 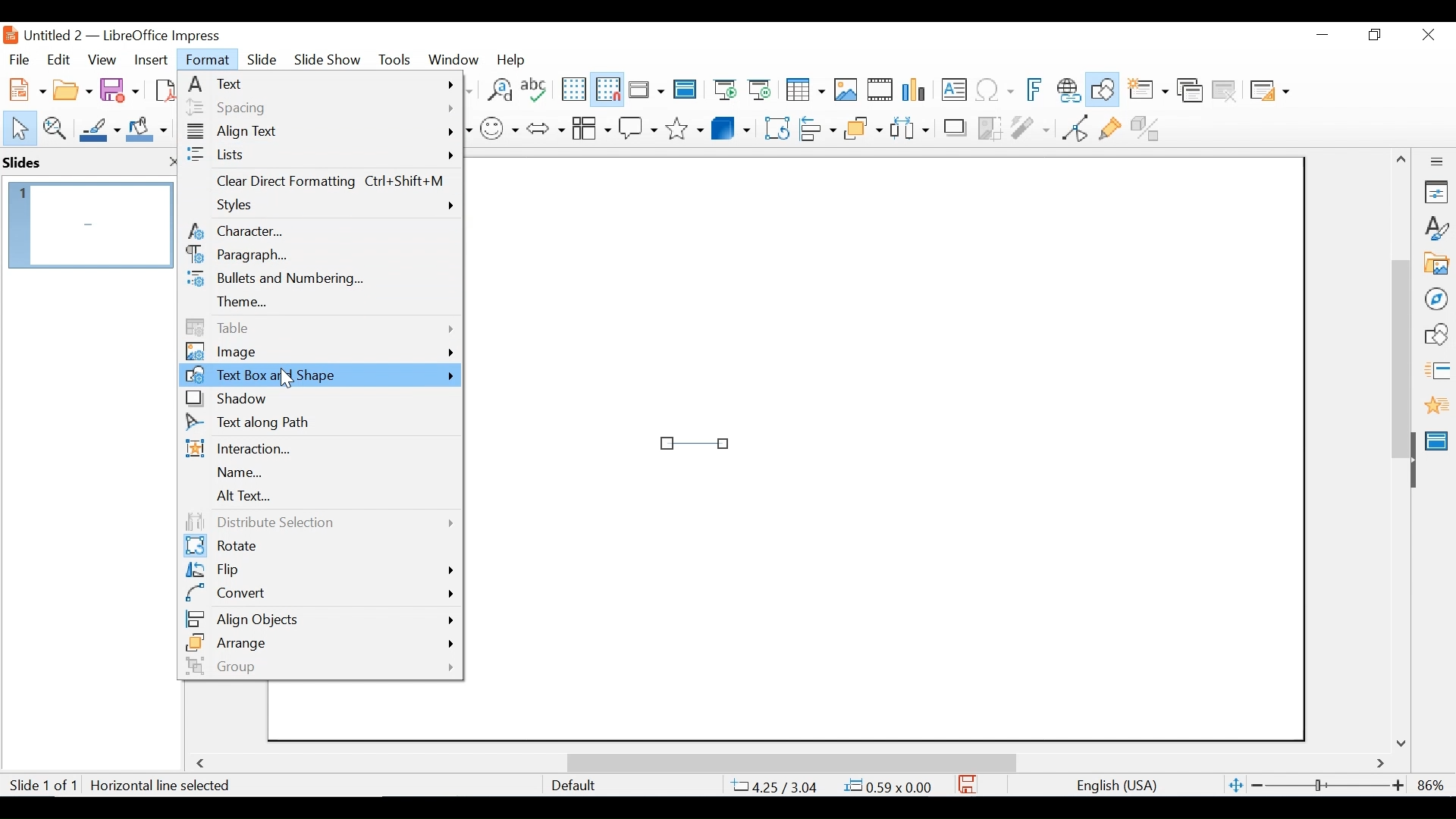 What do you see at coordinates (1147, 91) in the screenshot?
I see `New slide` at bounding box center [1147, 91].